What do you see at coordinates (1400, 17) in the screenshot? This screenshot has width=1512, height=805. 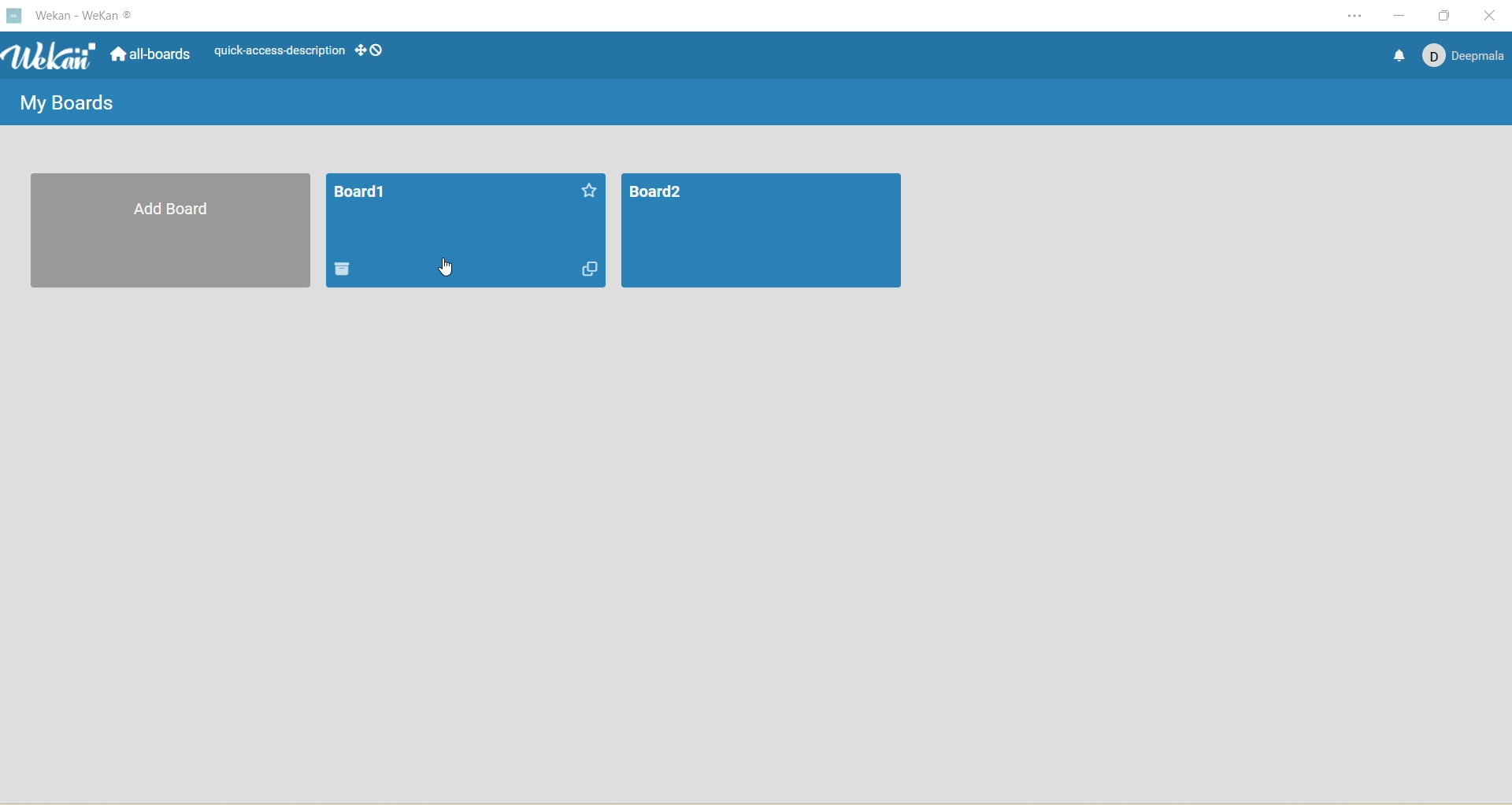 I see `minimize` at bounding box center [1400, 17].